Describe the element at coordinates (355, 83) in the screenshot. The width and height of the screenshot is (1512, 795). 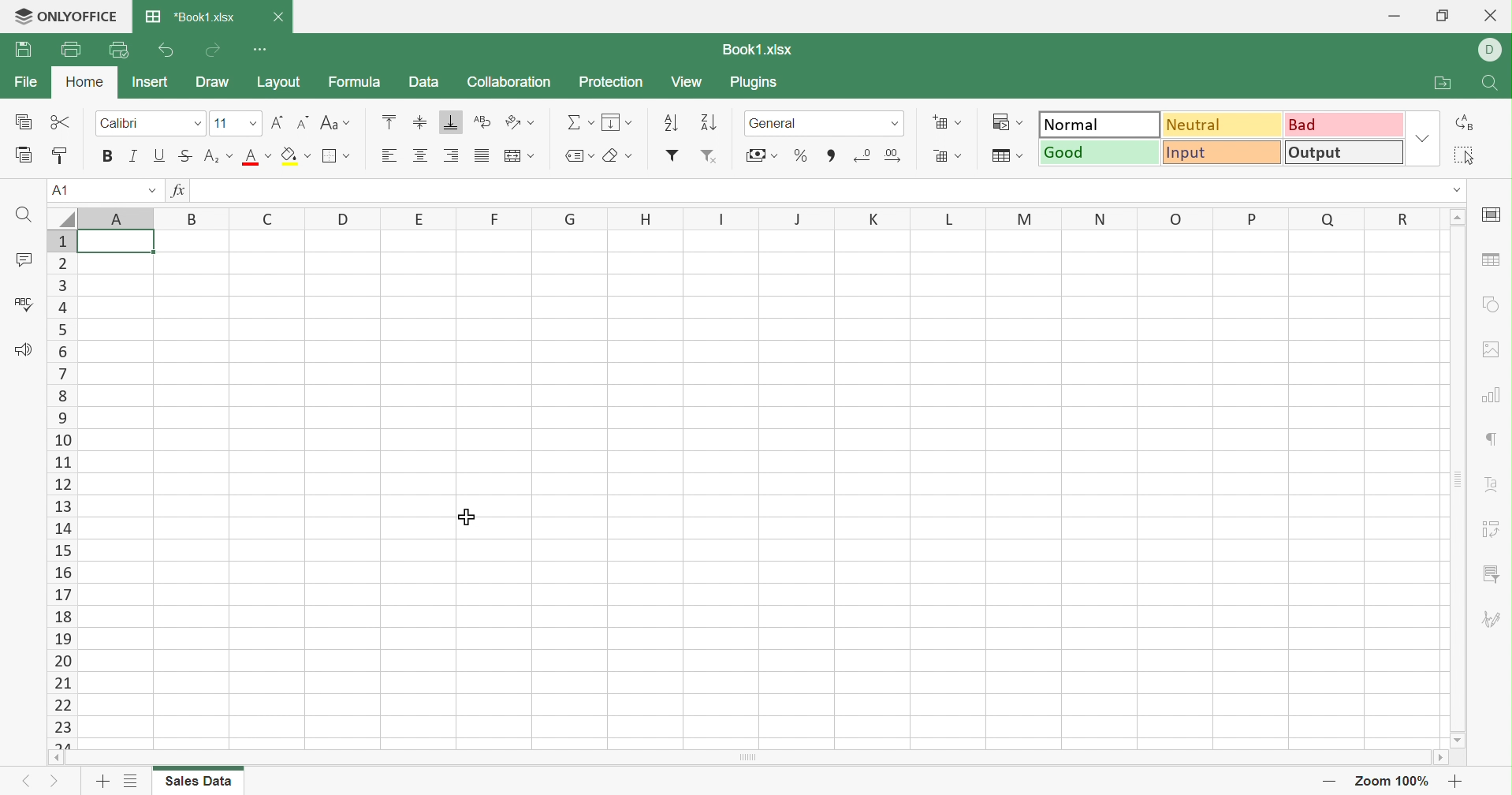
I see `Formula` at that location.